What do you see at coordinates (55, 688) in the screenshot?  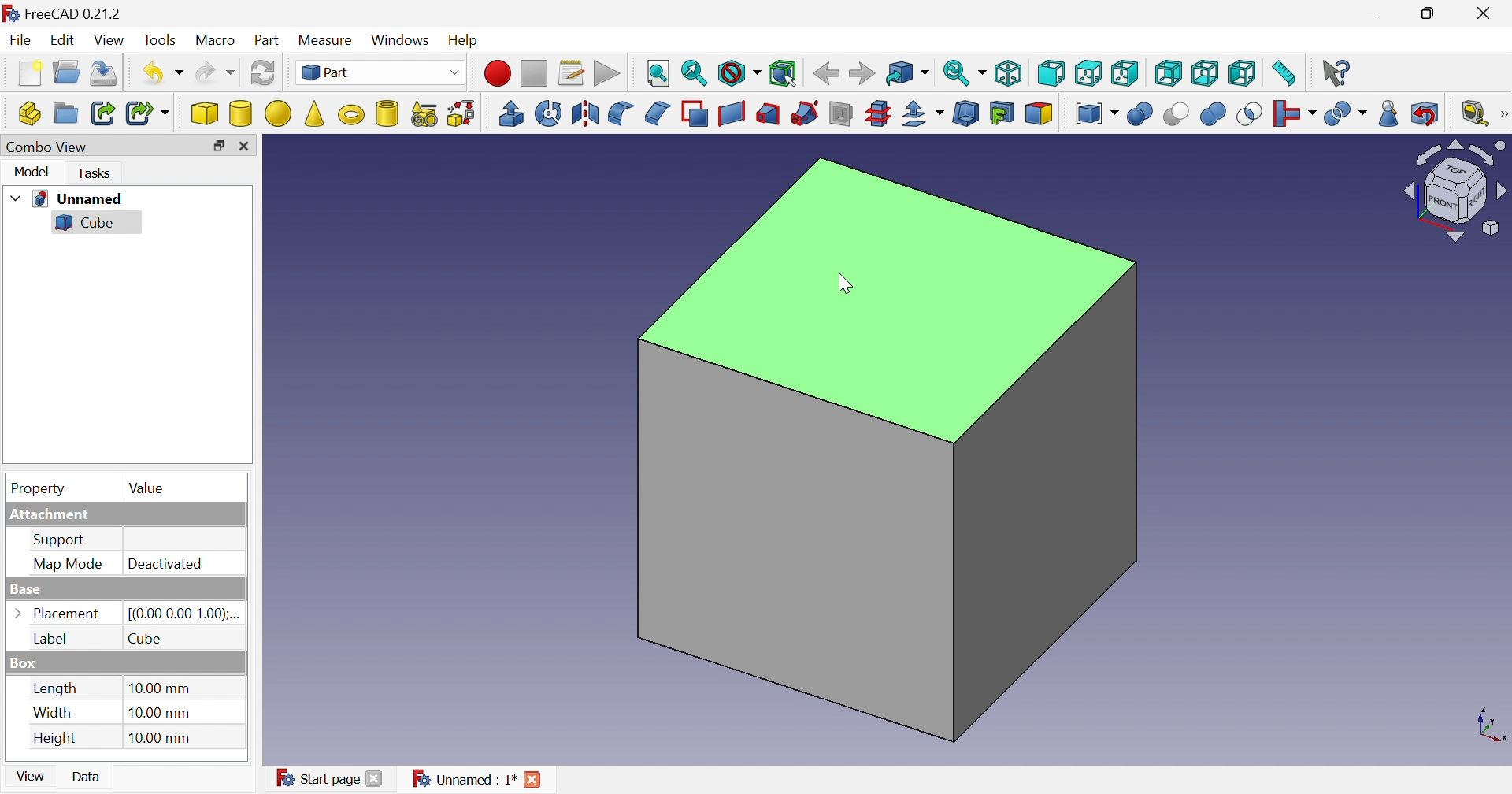 I see `Length` at bounding box center [55, 688].